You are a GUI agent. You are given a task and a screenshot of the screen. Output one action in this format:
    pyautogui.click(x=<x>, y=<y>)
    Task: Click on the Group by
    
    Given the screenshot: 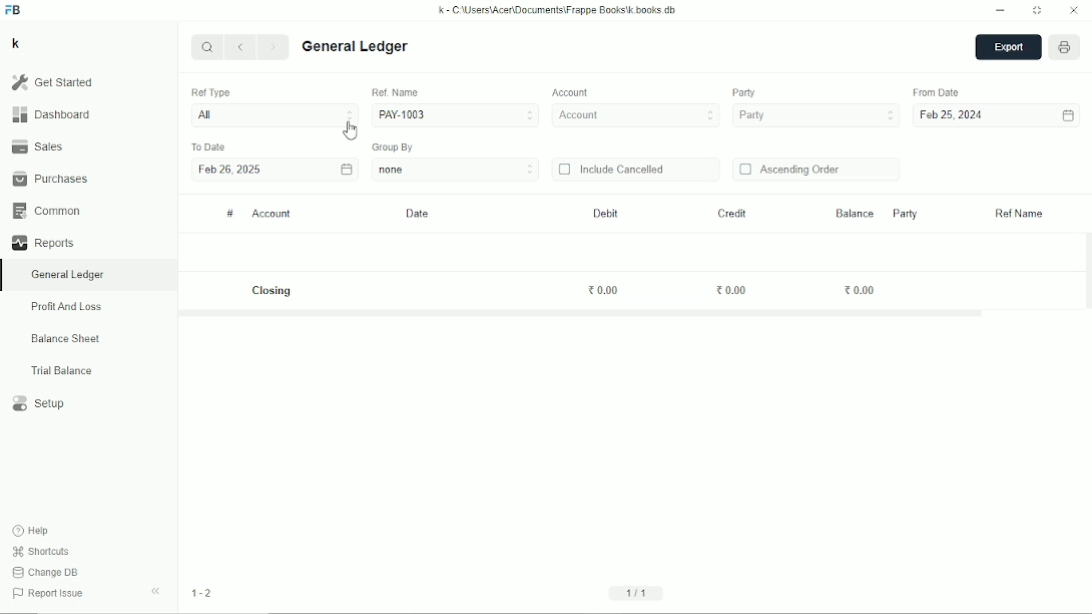 What is the action you would take?
    pyautogui.click(x=394, y=147)
    